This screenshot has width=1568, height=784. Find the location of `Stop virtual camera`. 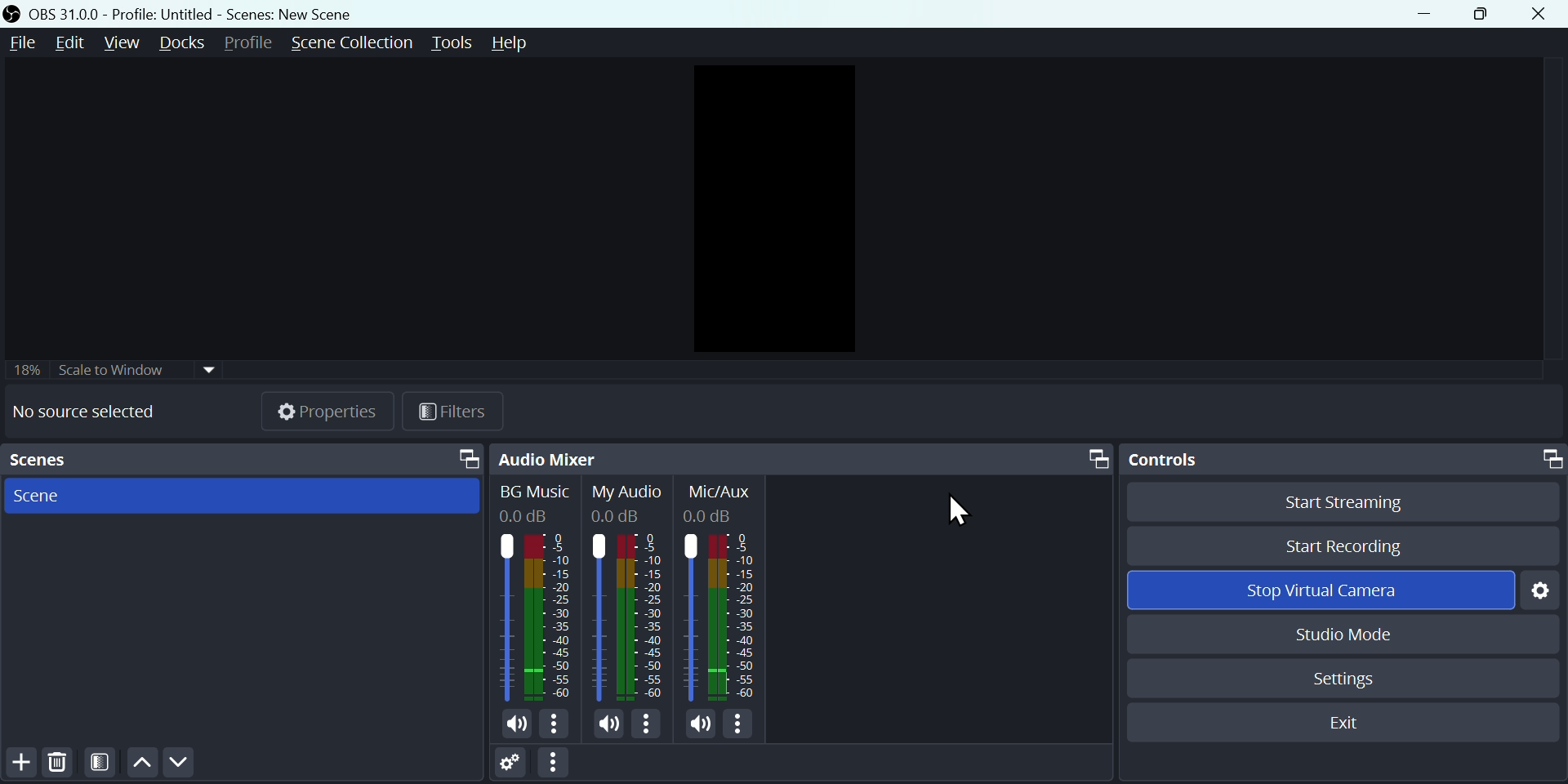

Stop virtual camera is located at coordinates (1329, 590).